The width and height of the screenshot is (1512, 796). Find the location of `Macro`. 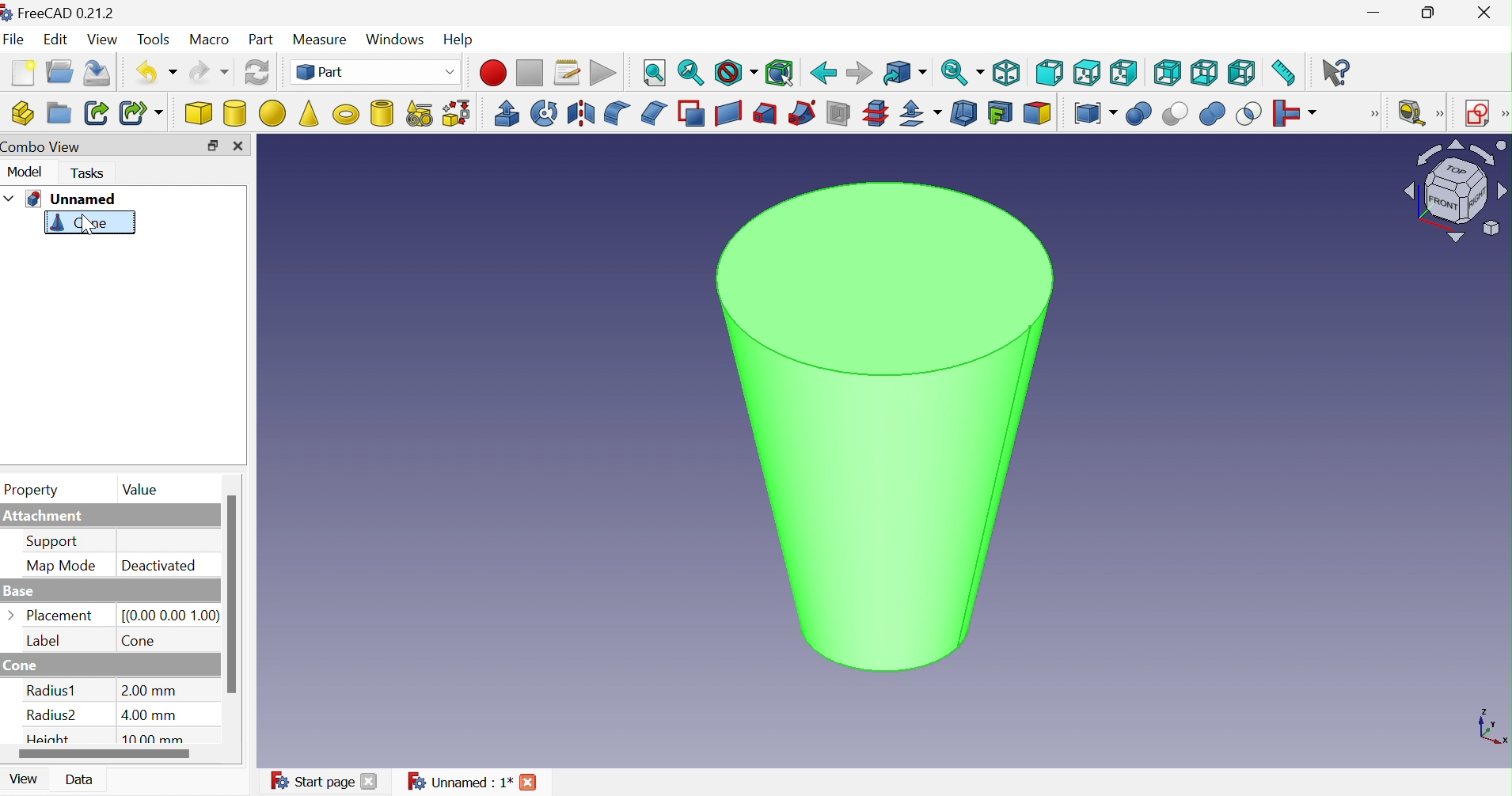

Macro is located at coordinates (211, 40).